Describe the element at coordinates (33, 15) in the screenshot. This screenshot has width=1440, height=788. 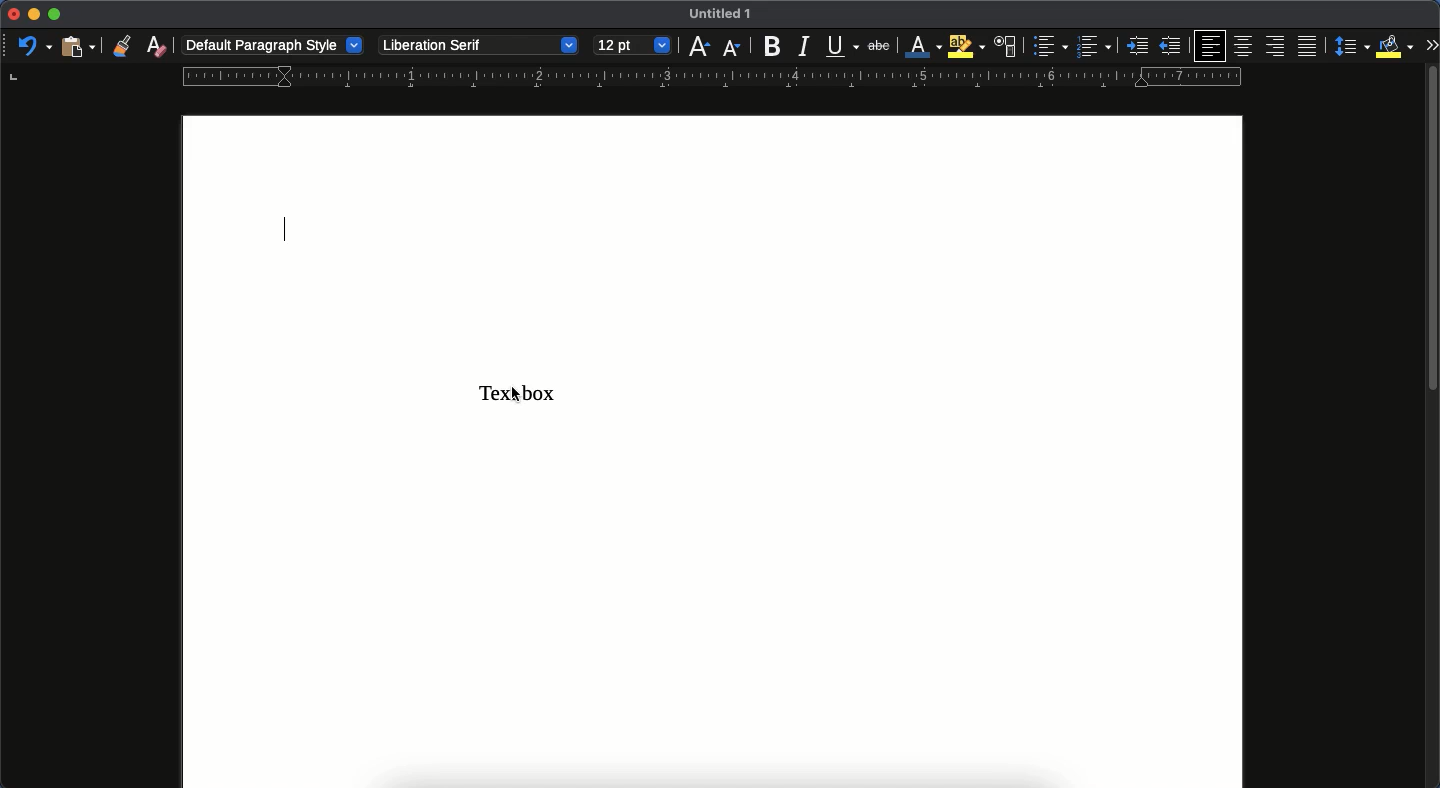
I see `minimize` at that location.